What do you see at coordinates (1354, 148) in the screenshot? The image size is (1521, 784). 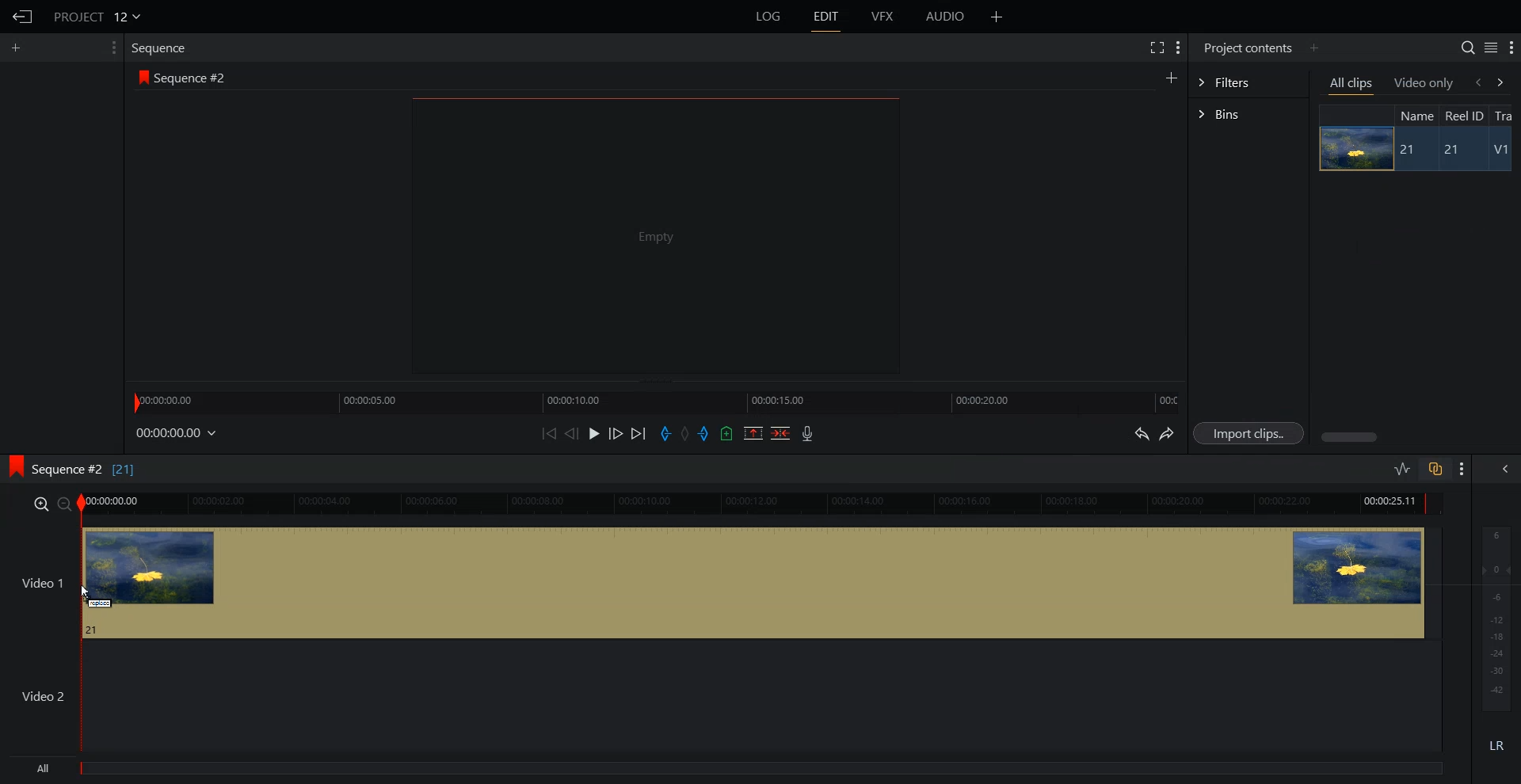 I see `Image` at bounding box center [1354, 148].